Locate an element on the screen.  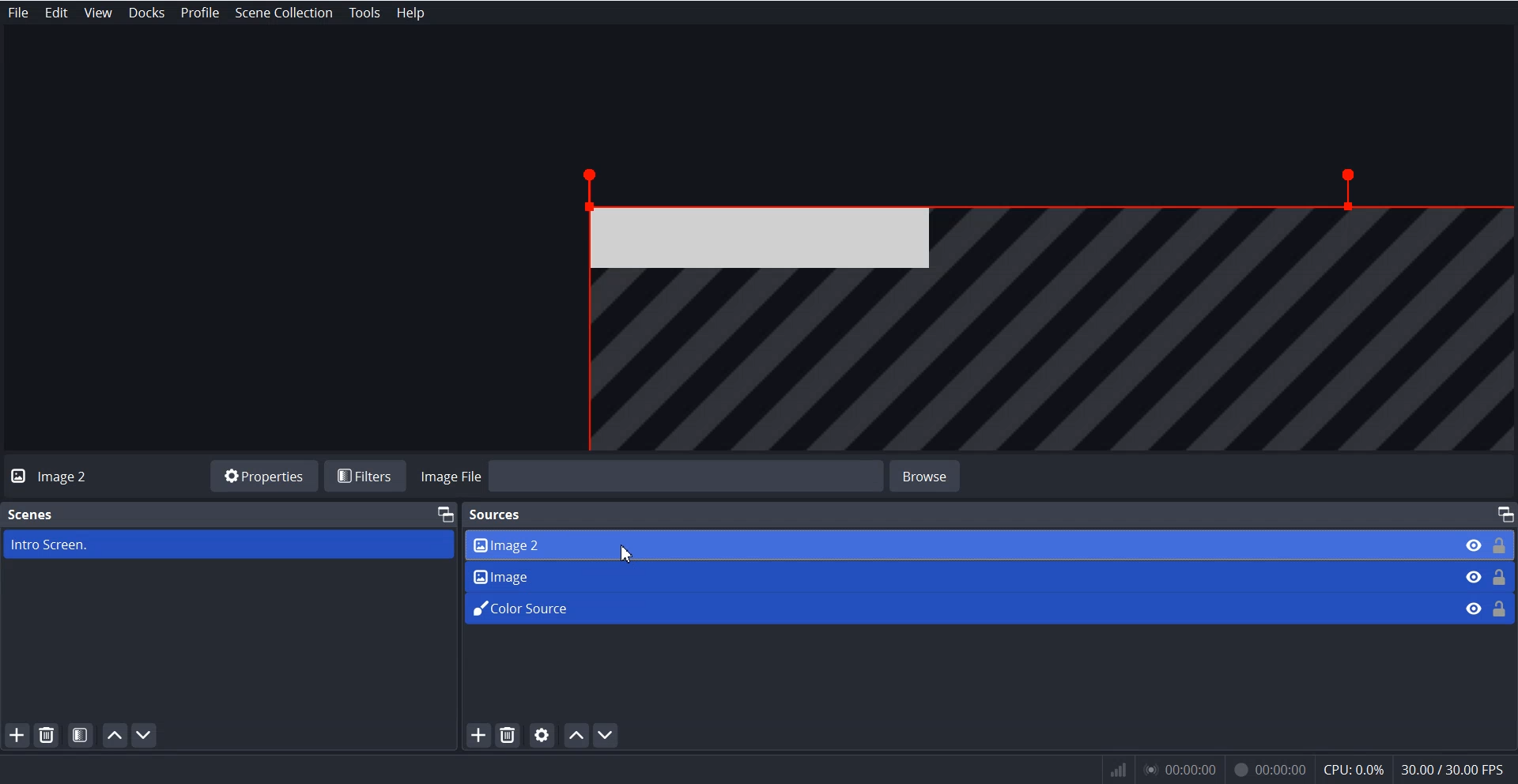
Sources is located at coordinates (498, 513).